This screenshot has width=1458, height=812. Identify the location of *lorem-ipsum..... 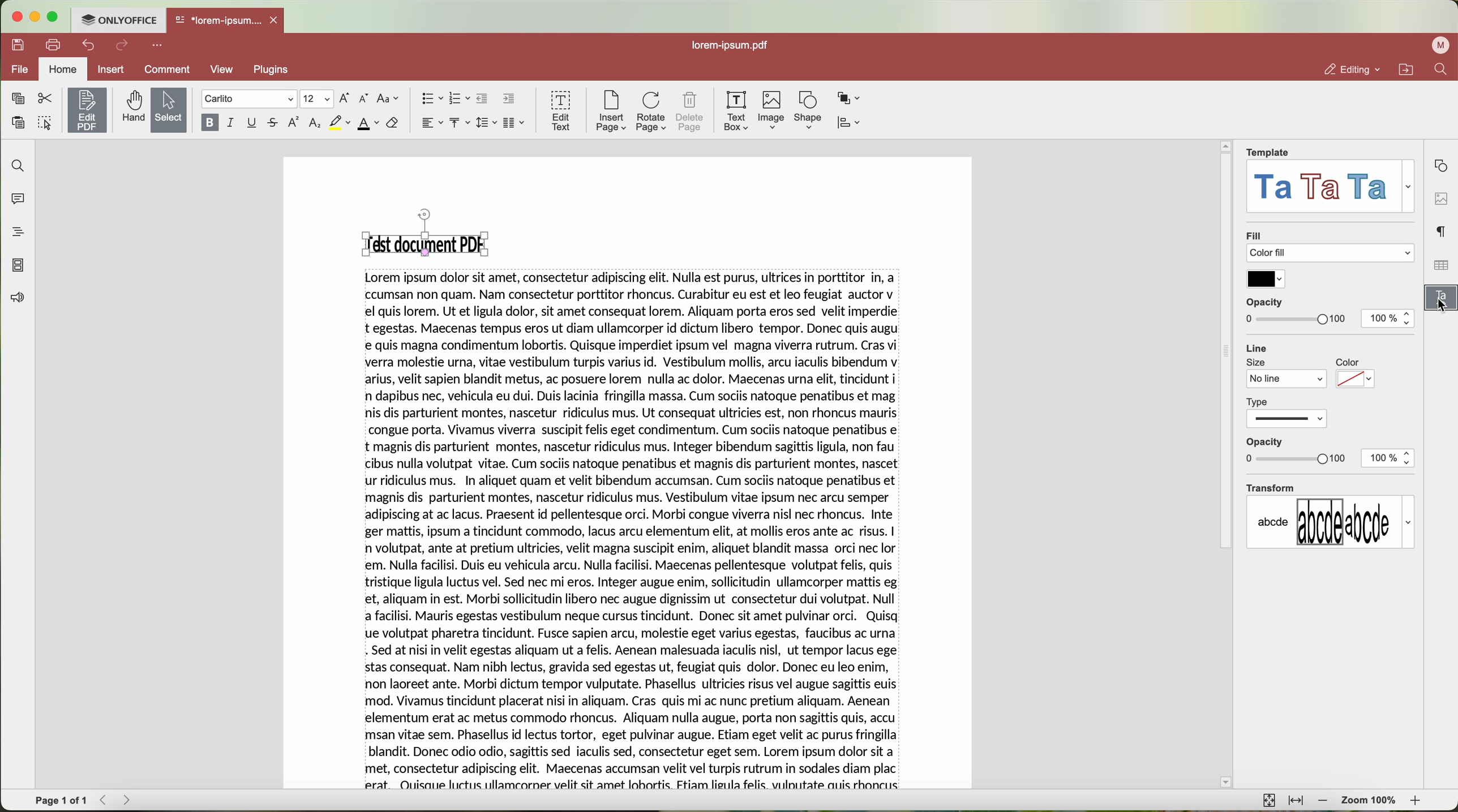
(218, 19).